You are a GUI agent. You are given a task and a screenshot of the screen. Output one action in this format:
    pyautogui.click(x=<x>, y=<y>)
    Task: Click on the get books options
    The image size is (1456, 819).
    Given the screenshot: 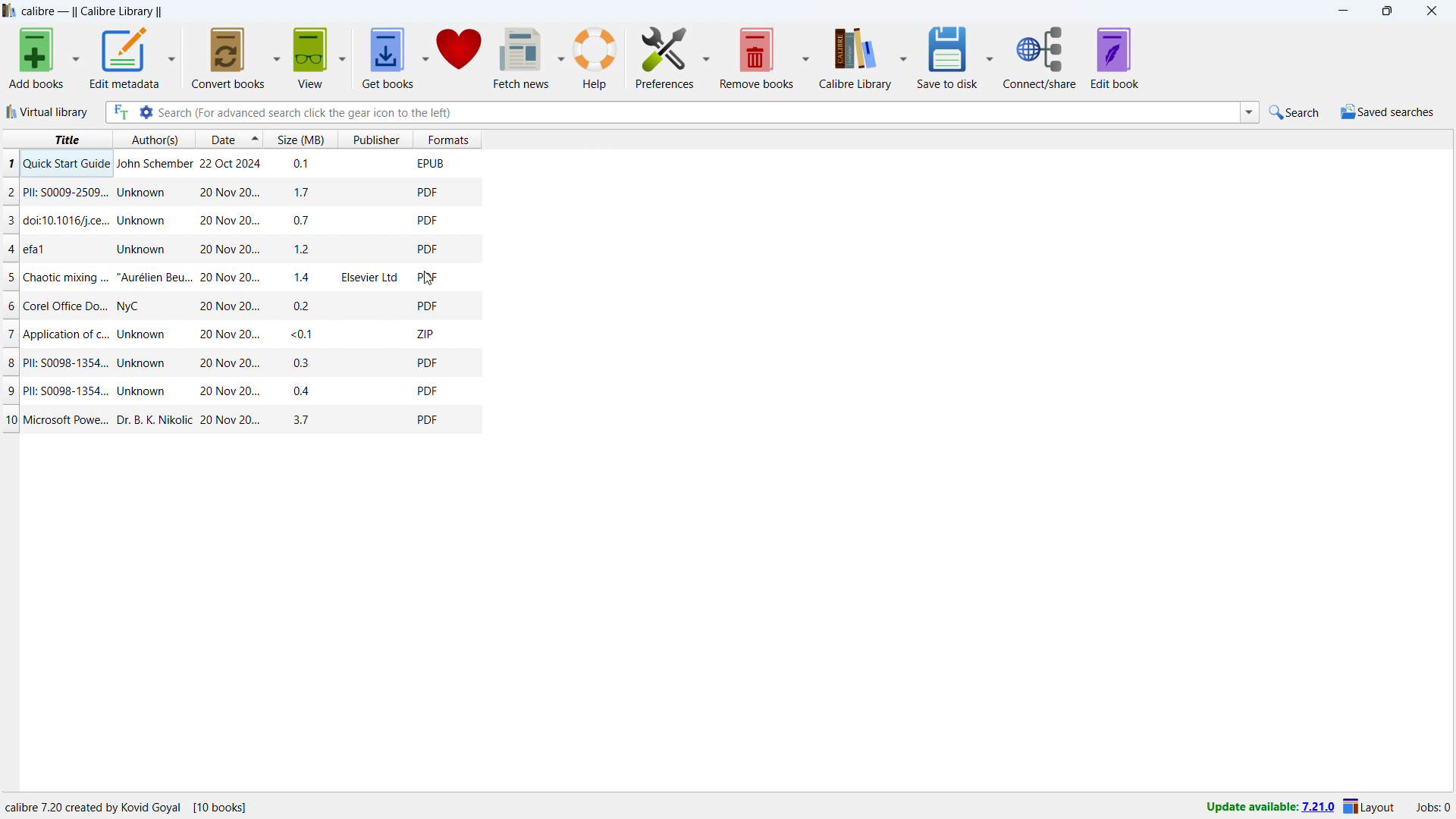 What is the action you would take?
    pyautogui.click(x=425, y=55)
    